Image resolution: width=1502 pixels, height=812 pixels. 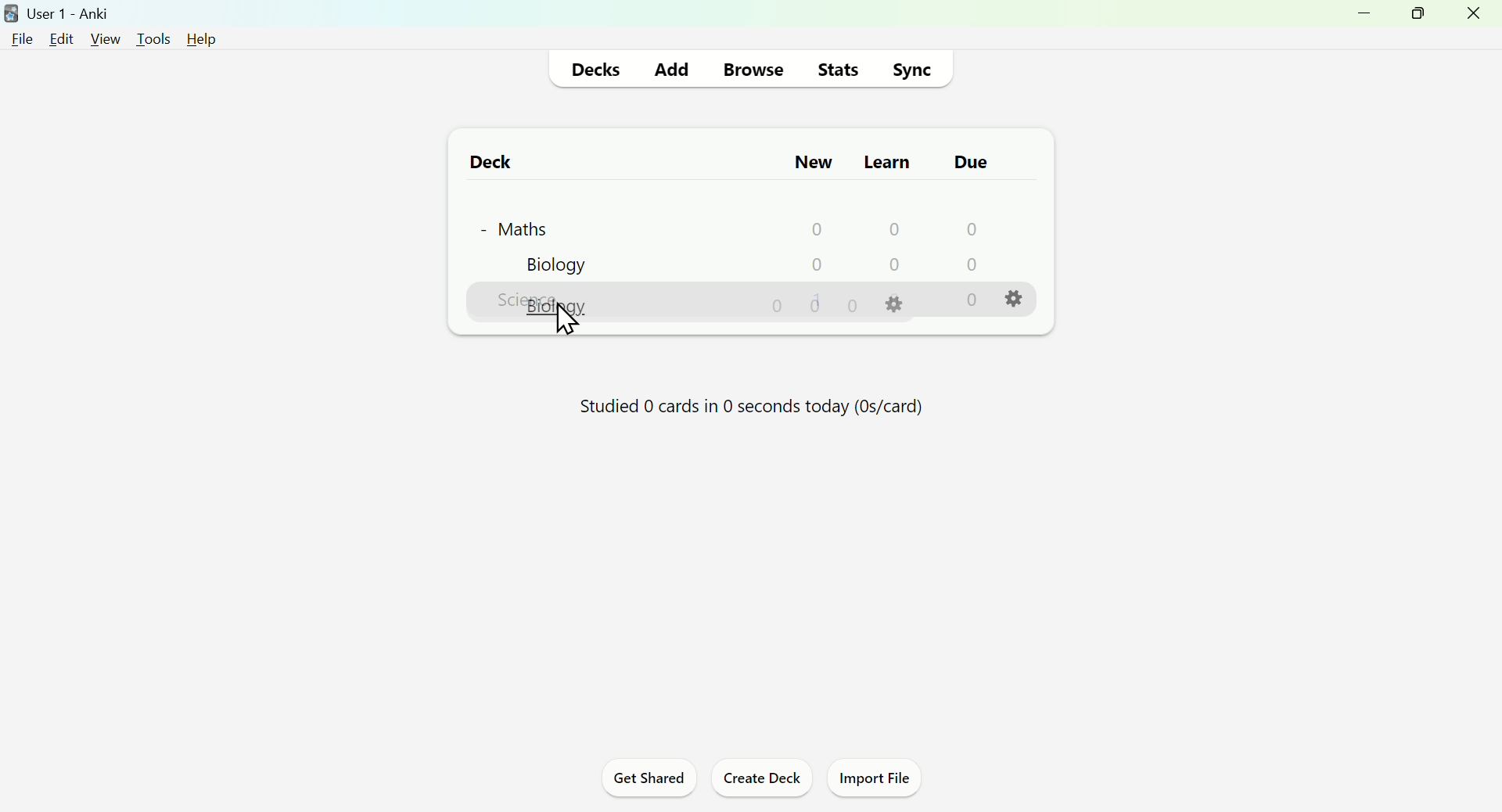 I want to click on Stats, so click(x=839, y=68).